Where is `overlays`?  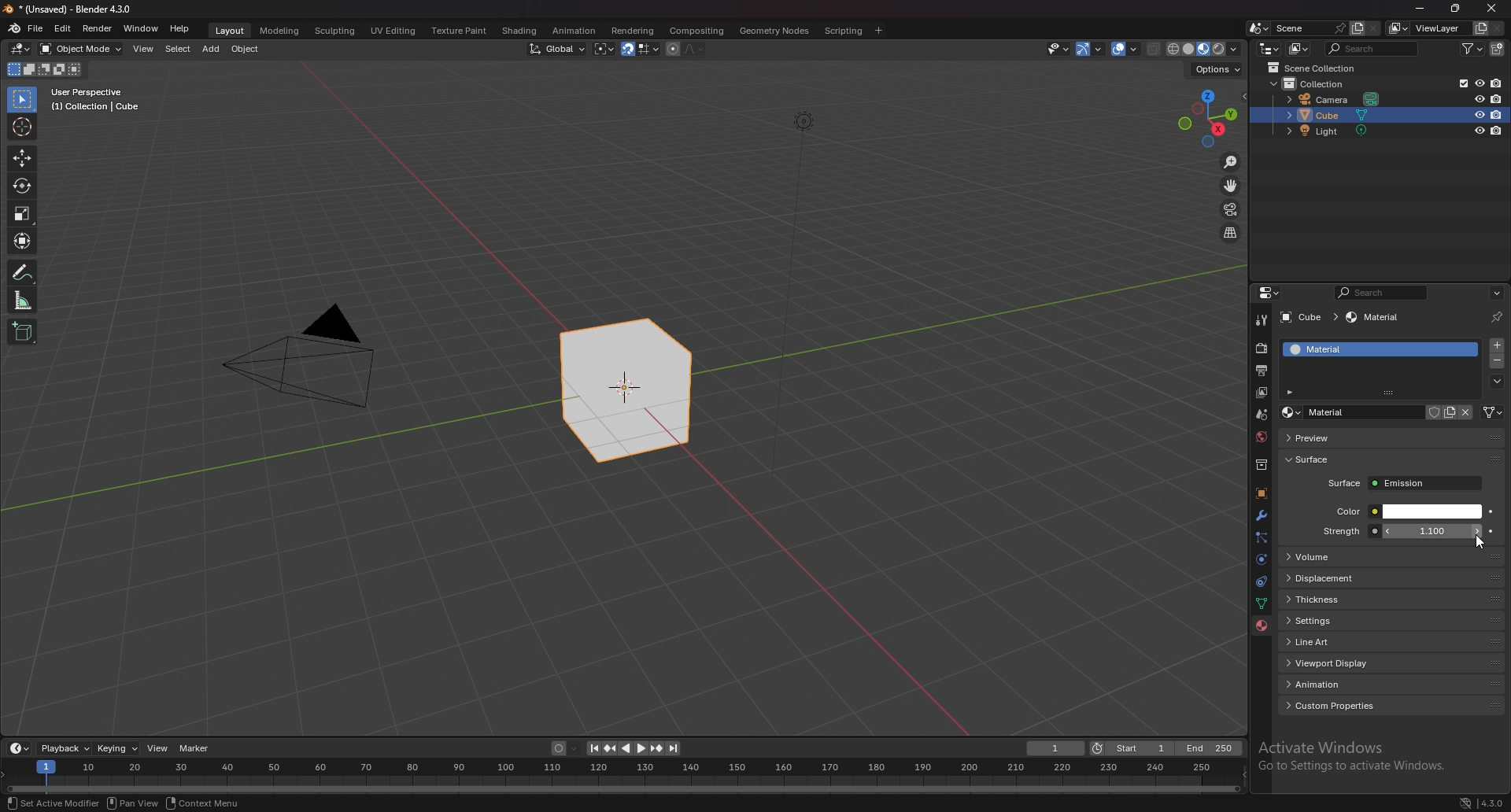 overlays is located at coordinates (1127, 50).